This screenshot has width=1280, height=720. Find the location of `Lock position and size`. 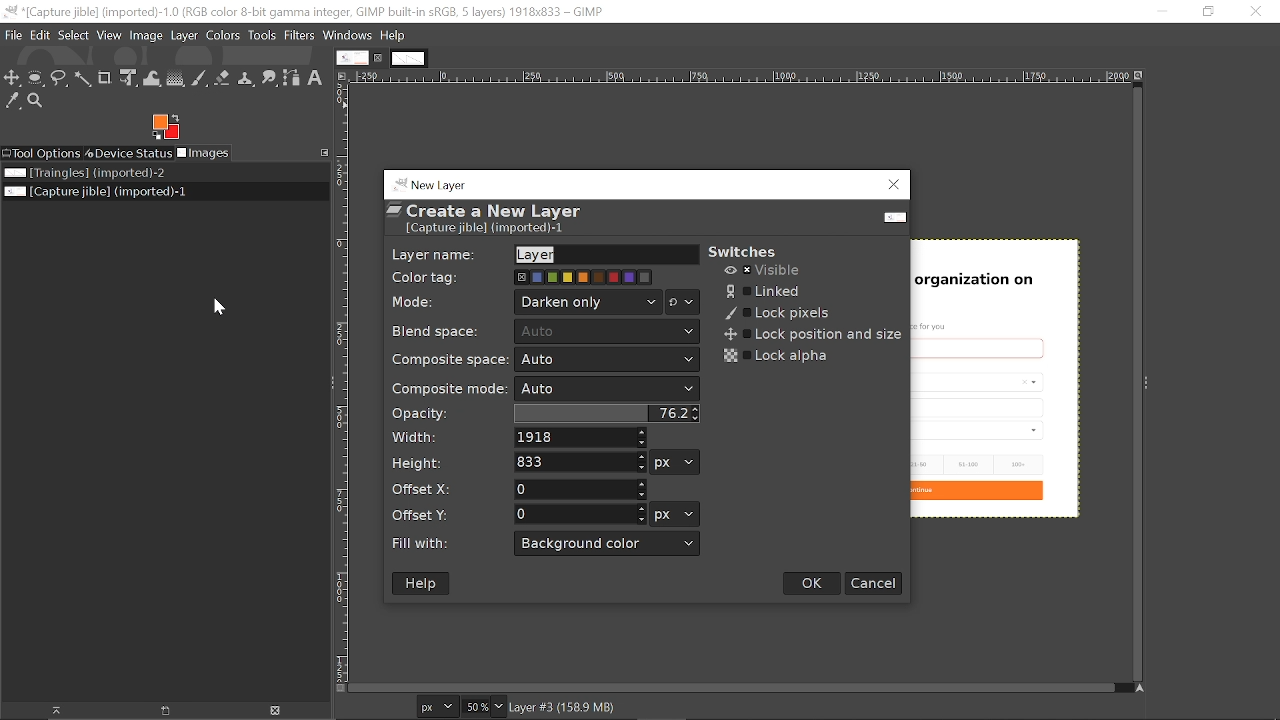

Lock position and size is located at coordinates (811, 336).